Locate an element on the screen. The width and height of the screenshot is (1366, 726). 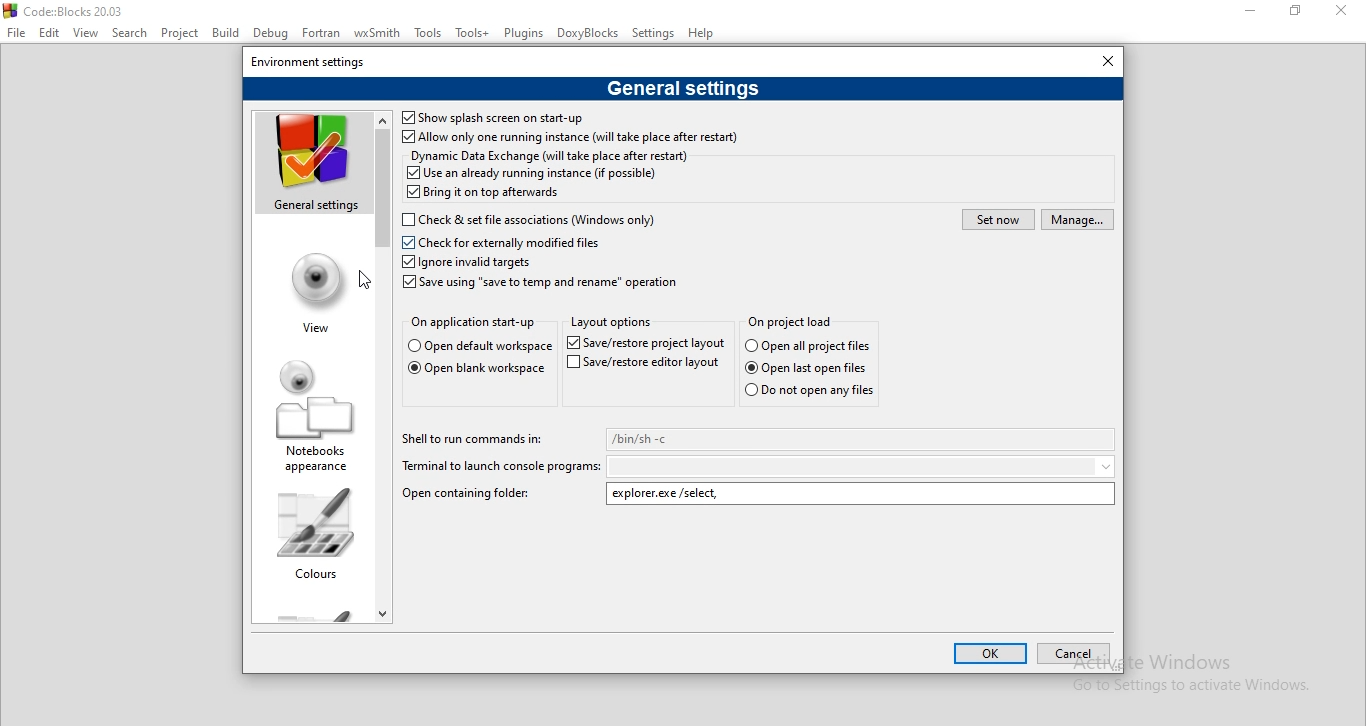
Tools is located at coordinates (430, 36).